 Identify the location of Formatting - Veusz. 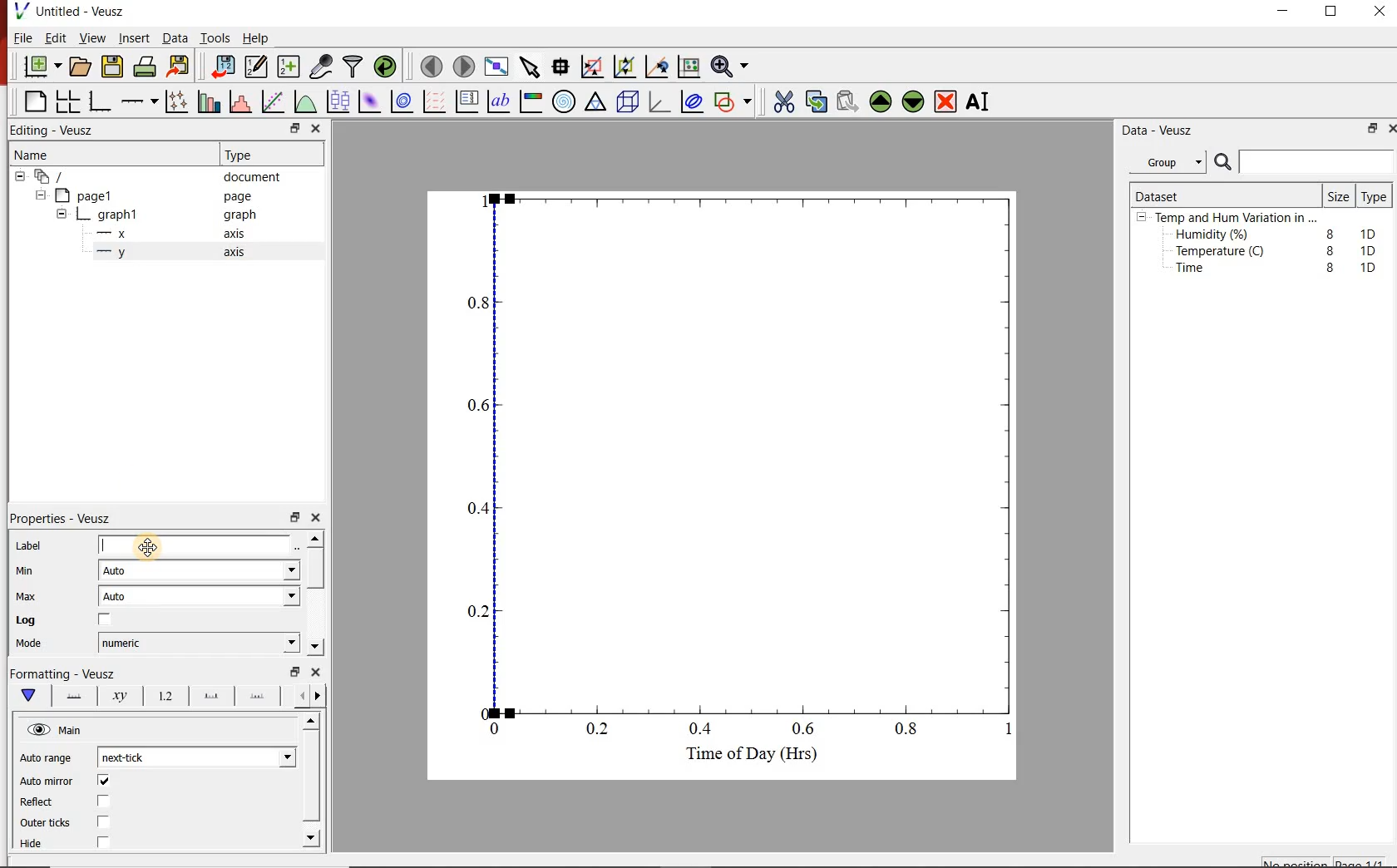
(67, 675).